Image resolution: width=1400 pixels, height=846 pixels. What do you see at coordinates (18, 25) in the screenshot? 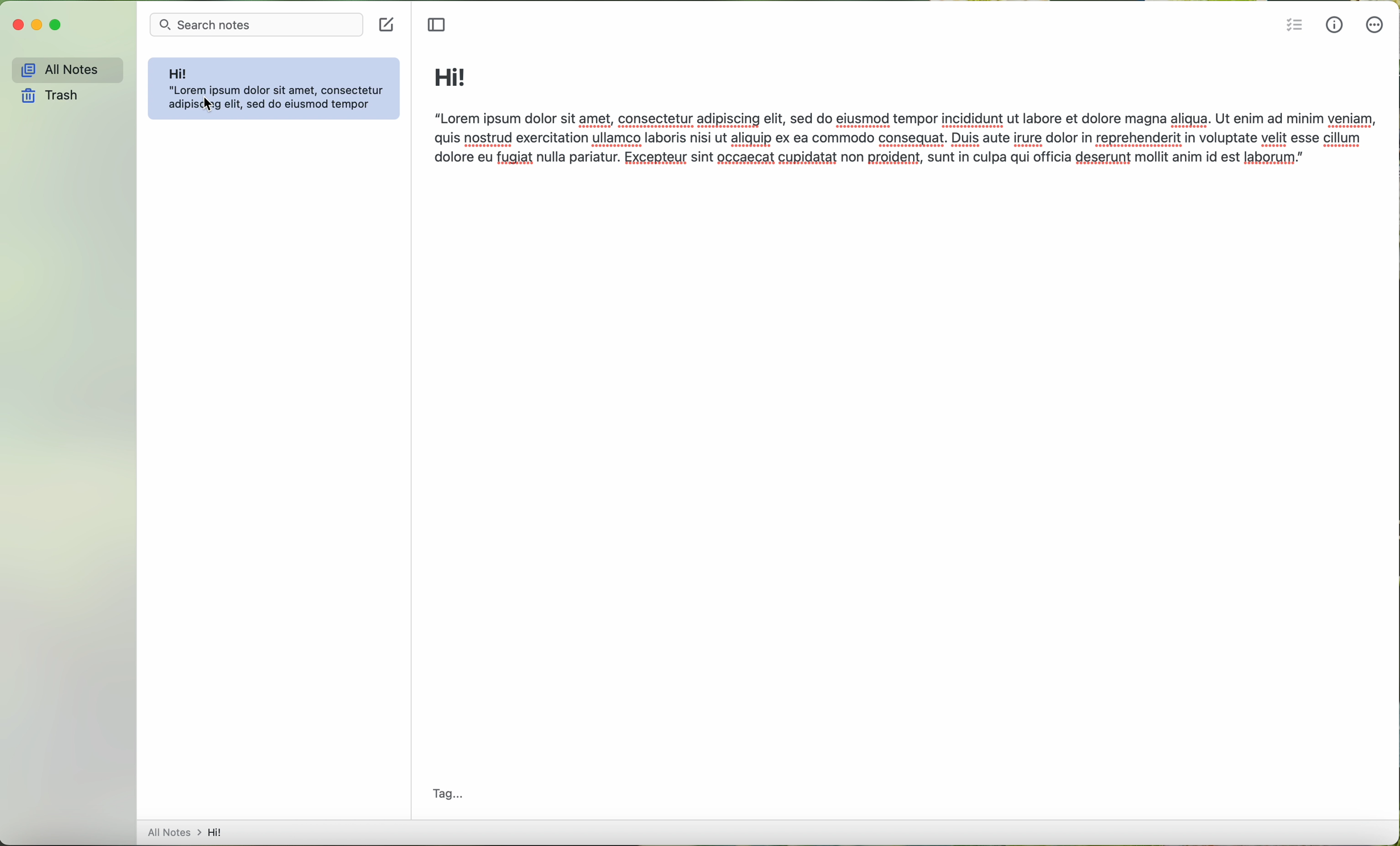
I see `close Simplenote` at bounding box center [18, 25].